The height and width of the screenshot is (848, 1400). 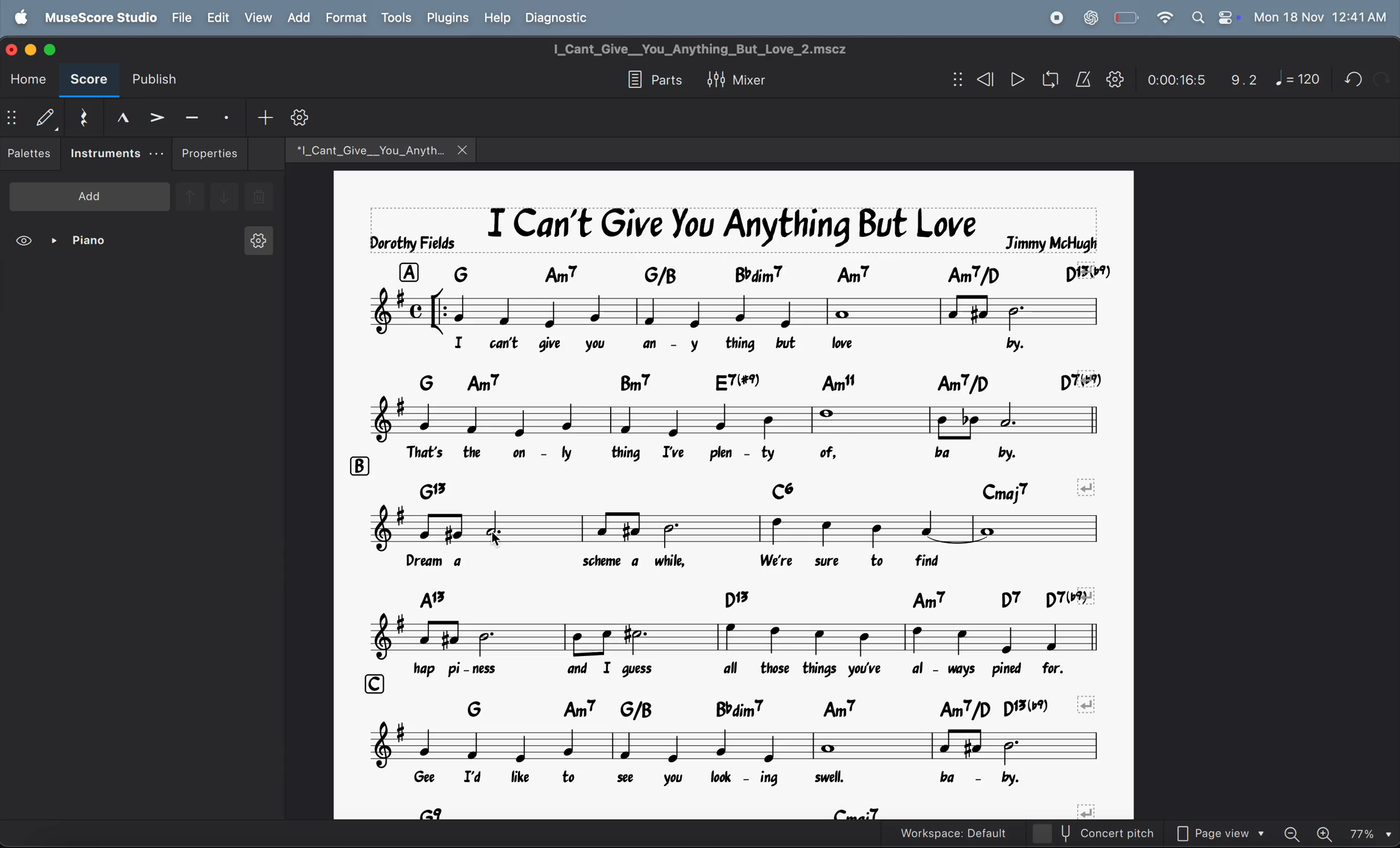 What do you see at coordinates (1017, 80) in the screenshot?
I see `play` at bounding box center [1017, 80].